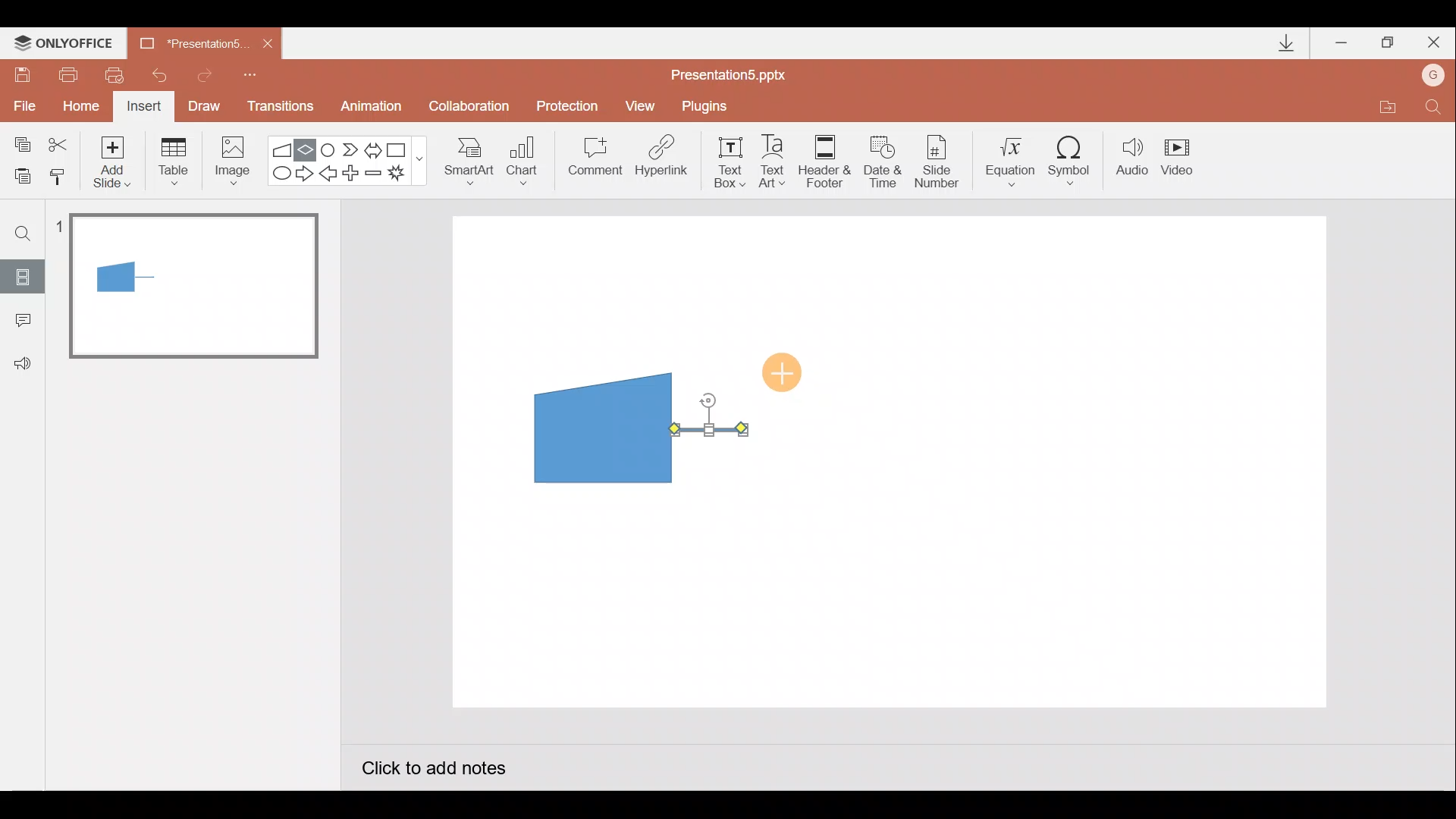 The width and height of the screenshot is (1456, 819). Describe the element at coordinates (373, 108) in the screenshot. I see `Animation` at that location.